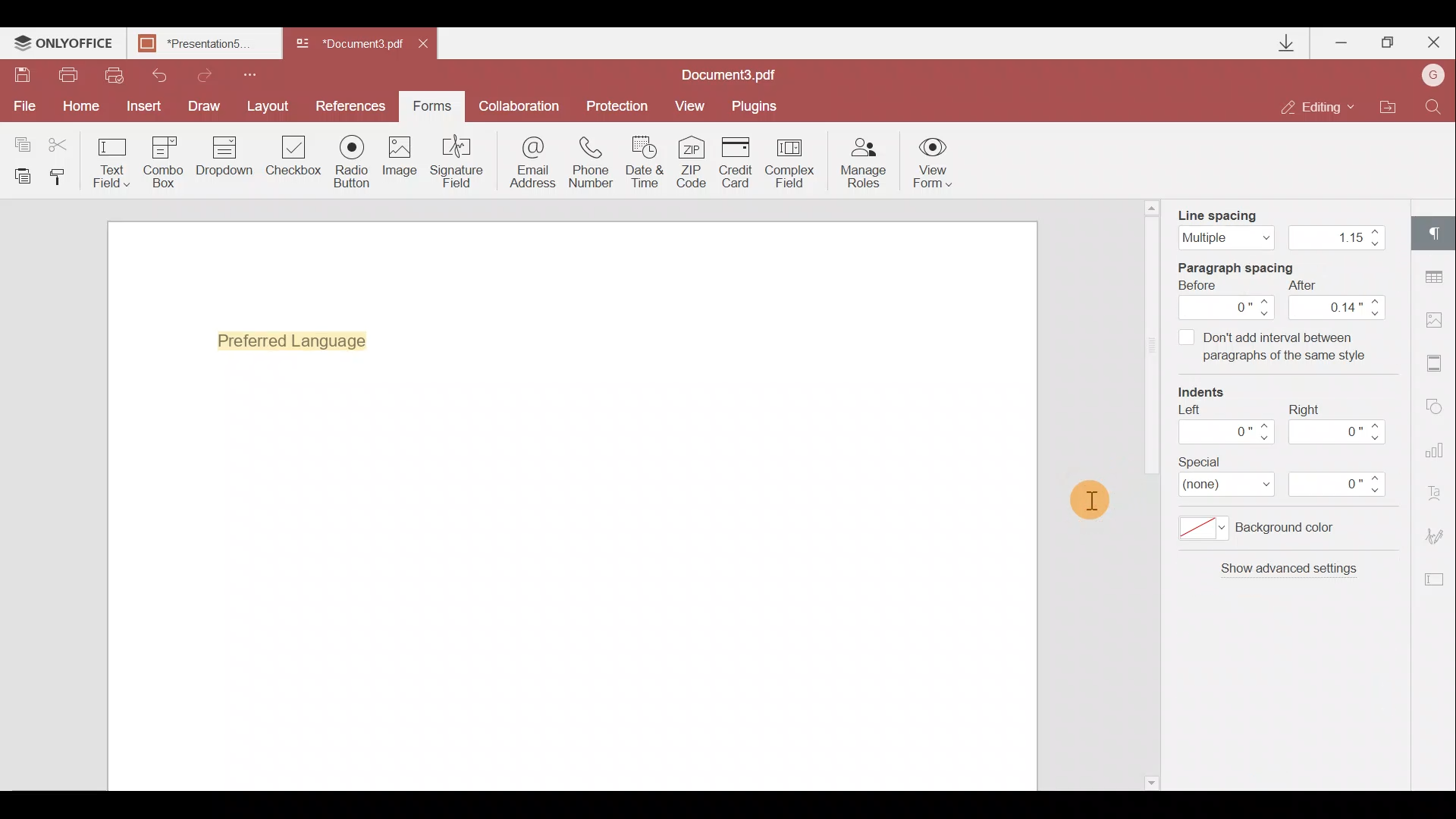 The width and height of the screenshot is (1456, 819). What do you see at coordinates (1269, 347) in the screenshot?
I see `Don't add interval between
paragraphs of the same style` at bounding box center [1269, 347].